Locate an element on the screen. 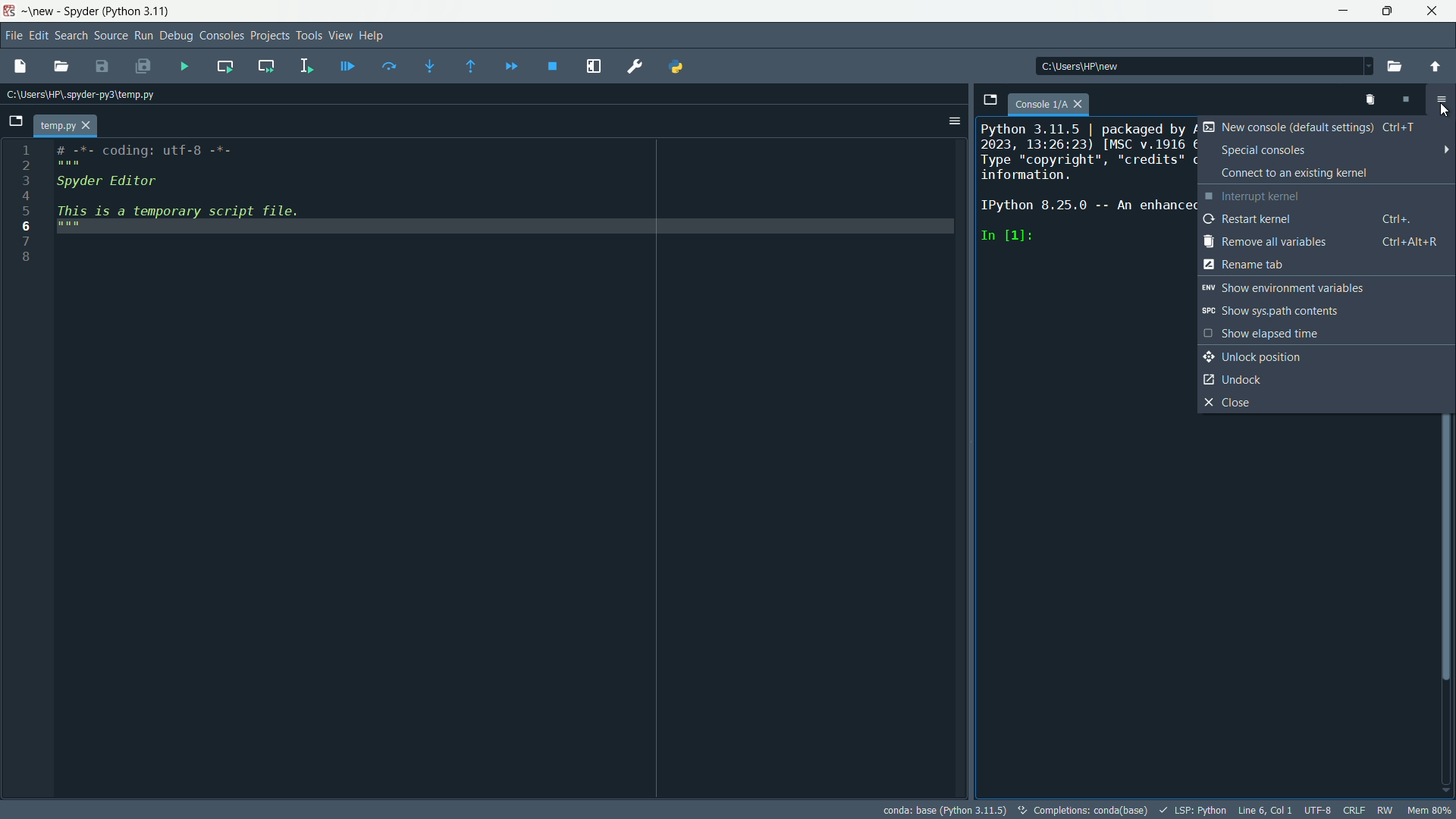  continue execution until next breakpoint is located at coordinates (510, 66).